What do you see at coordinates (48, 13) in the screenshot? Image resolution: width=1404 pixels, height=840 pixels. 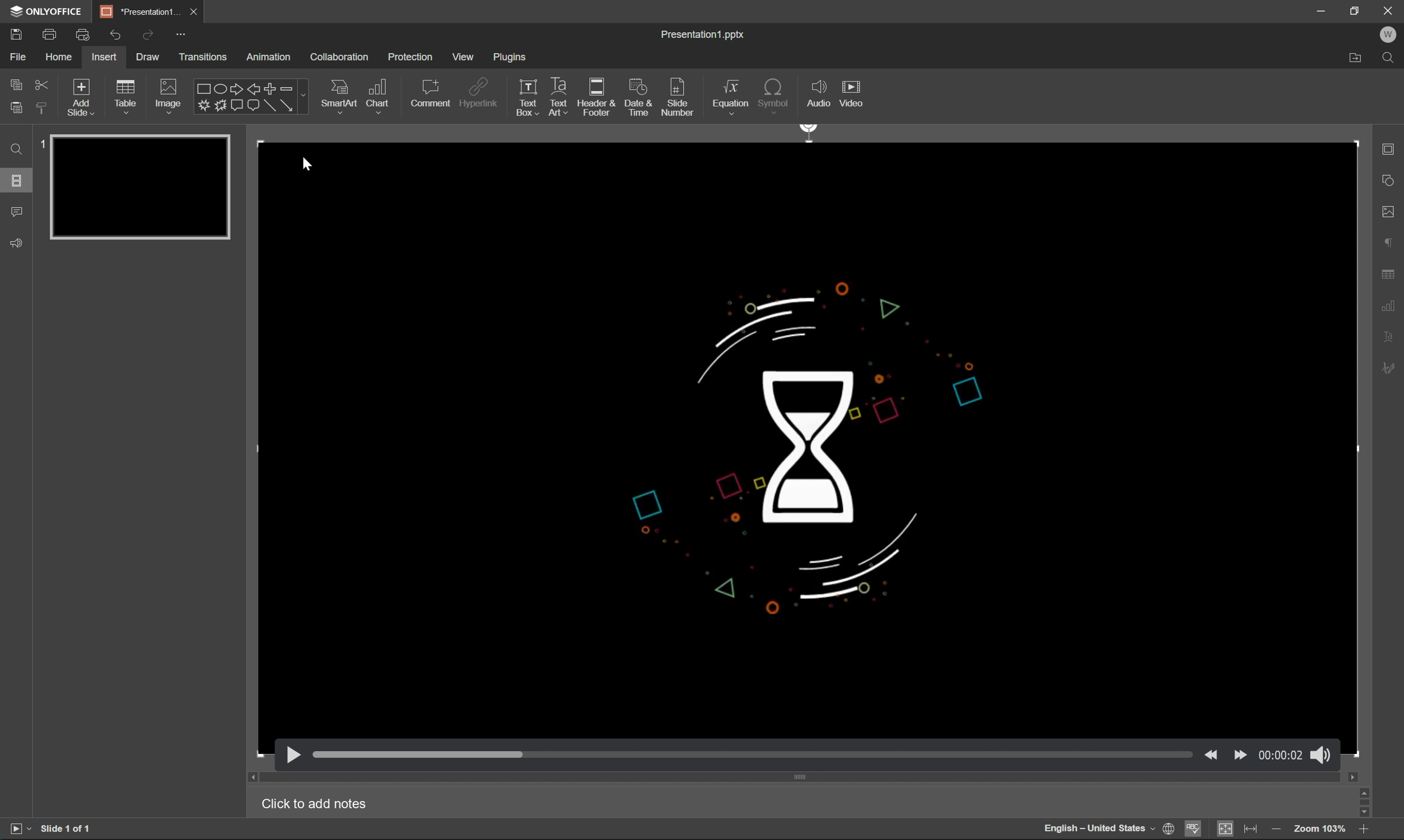 I see `ONLYOFFICE` at bounding box center [48, 13].